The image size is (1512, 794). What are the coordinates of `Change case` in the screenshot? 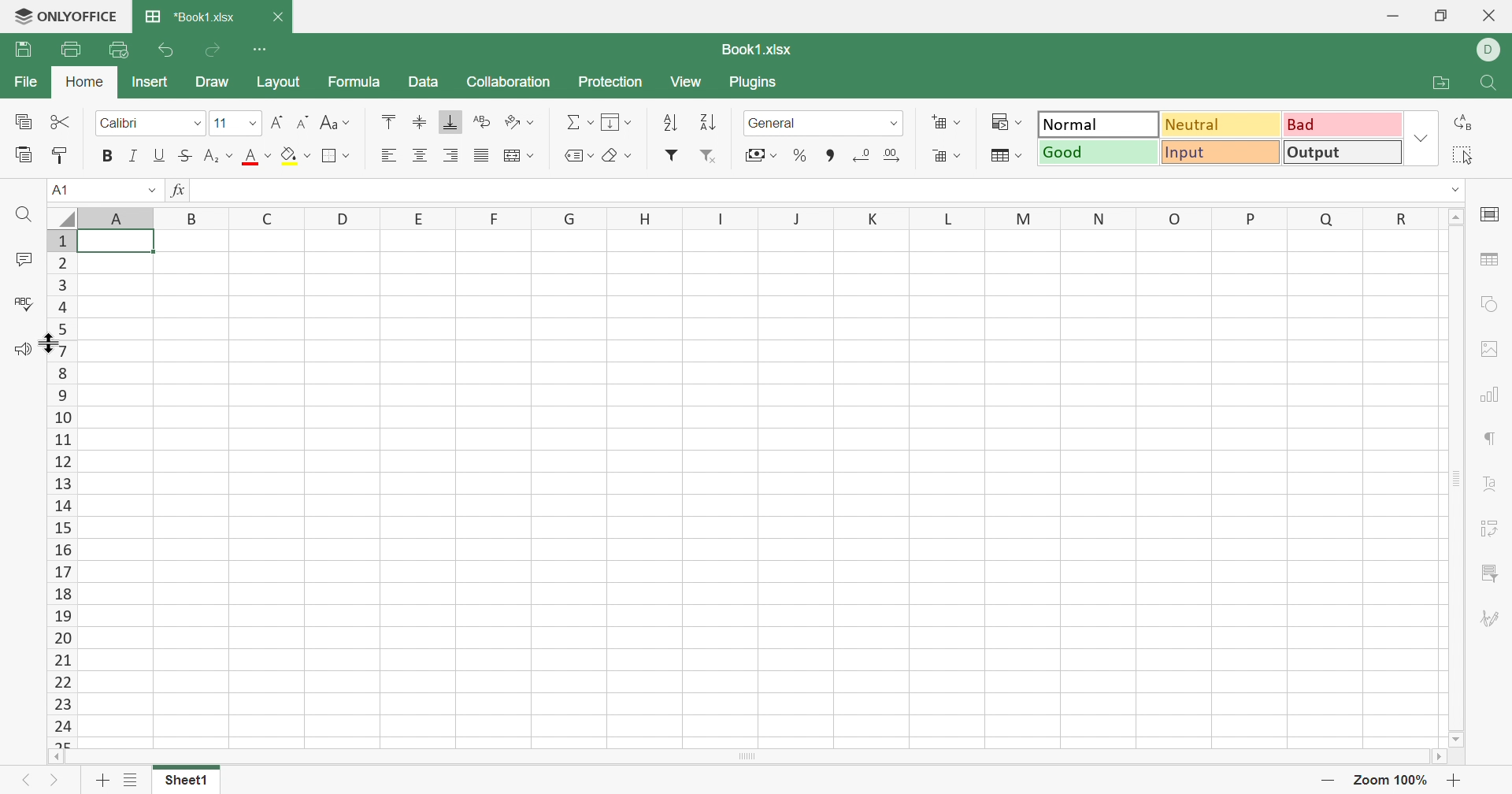 It's located at (335, 124).